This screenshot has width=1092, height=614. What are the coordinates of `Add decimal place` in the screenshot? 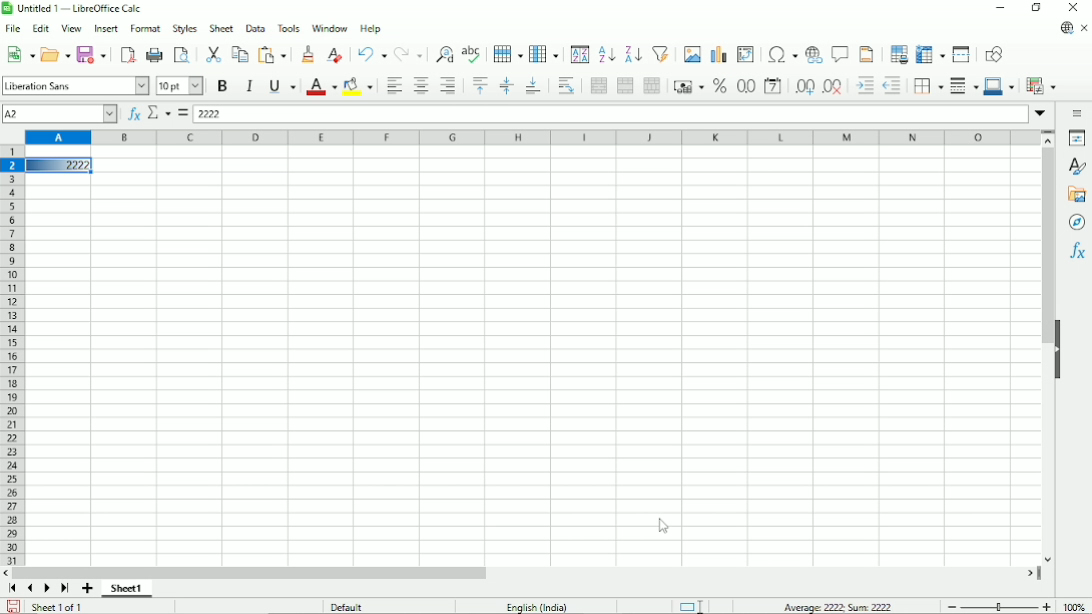 It's located at (804, 86).